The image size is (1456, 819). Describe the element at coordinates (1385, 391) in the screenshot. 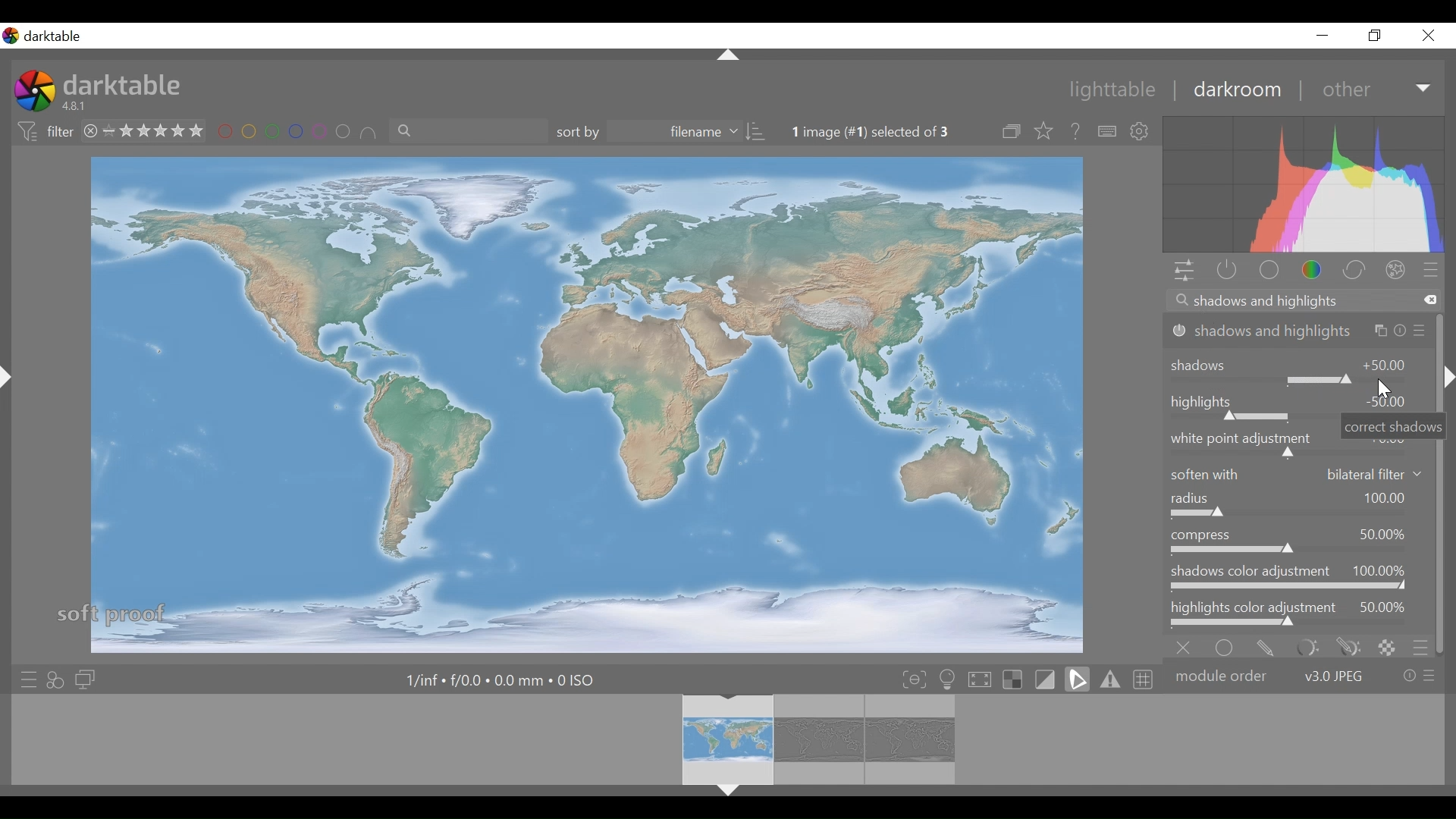

I see `Cursor` at that location.